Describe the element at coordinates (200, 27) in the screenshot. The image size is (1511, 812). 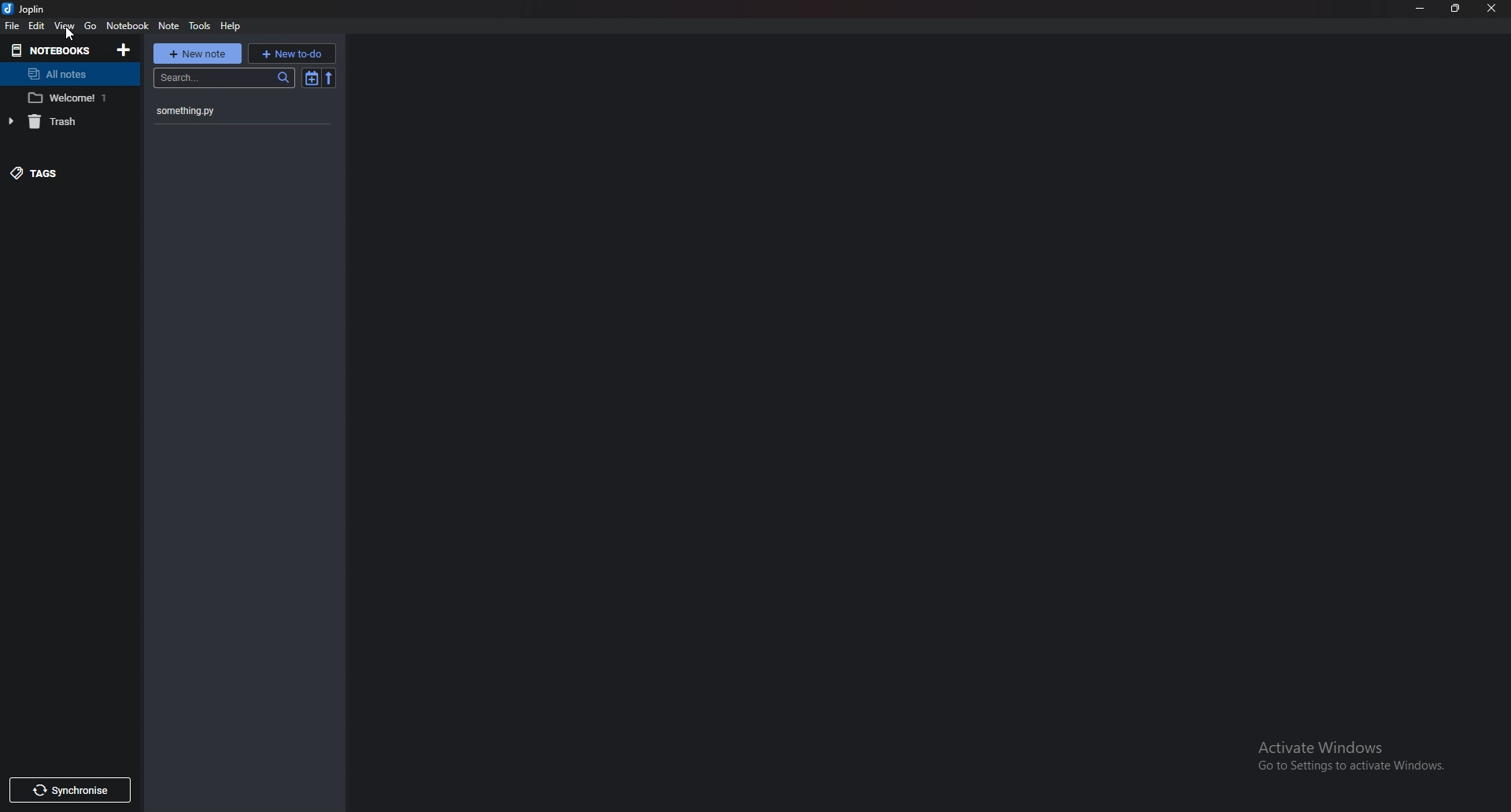
I see `Tools` at that location.